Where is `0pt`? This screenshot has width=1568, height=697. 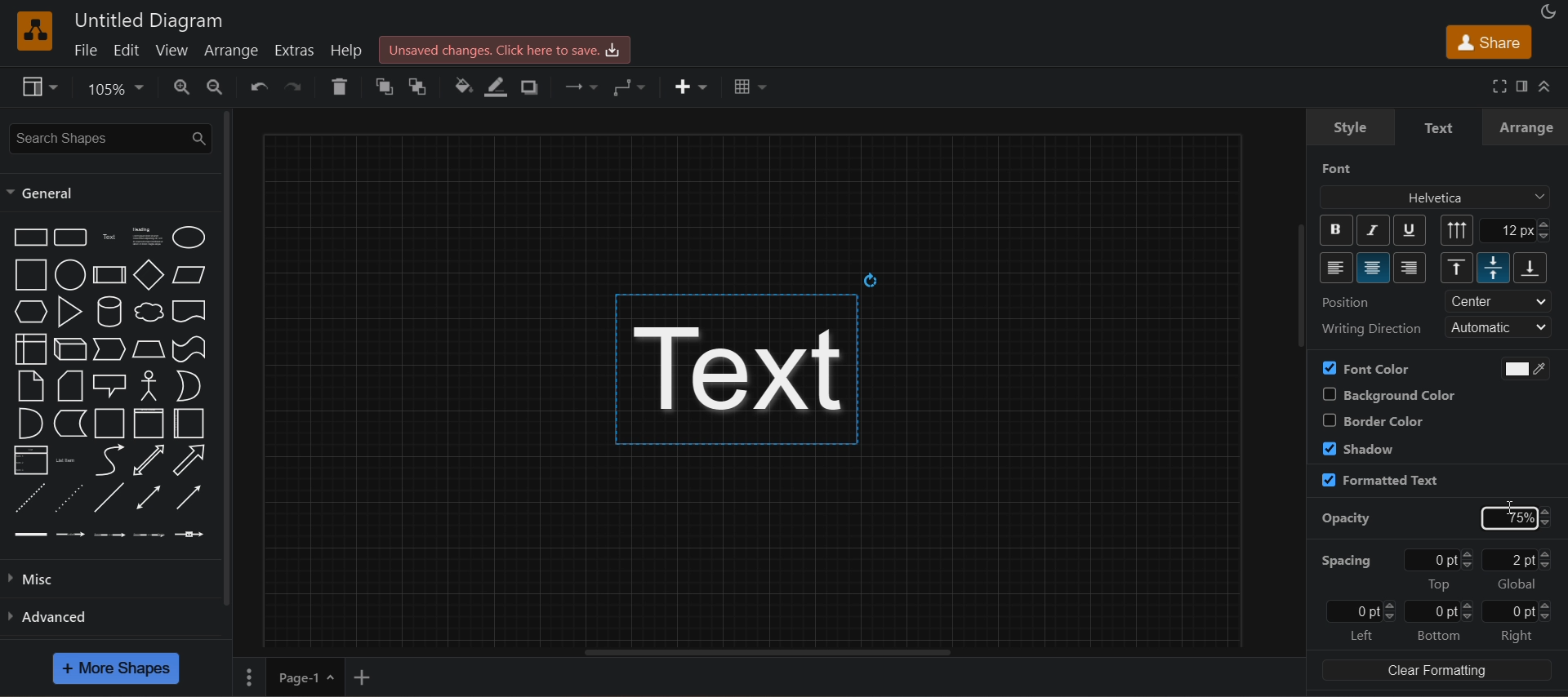
0pt is located at coordinates (1442, 559).